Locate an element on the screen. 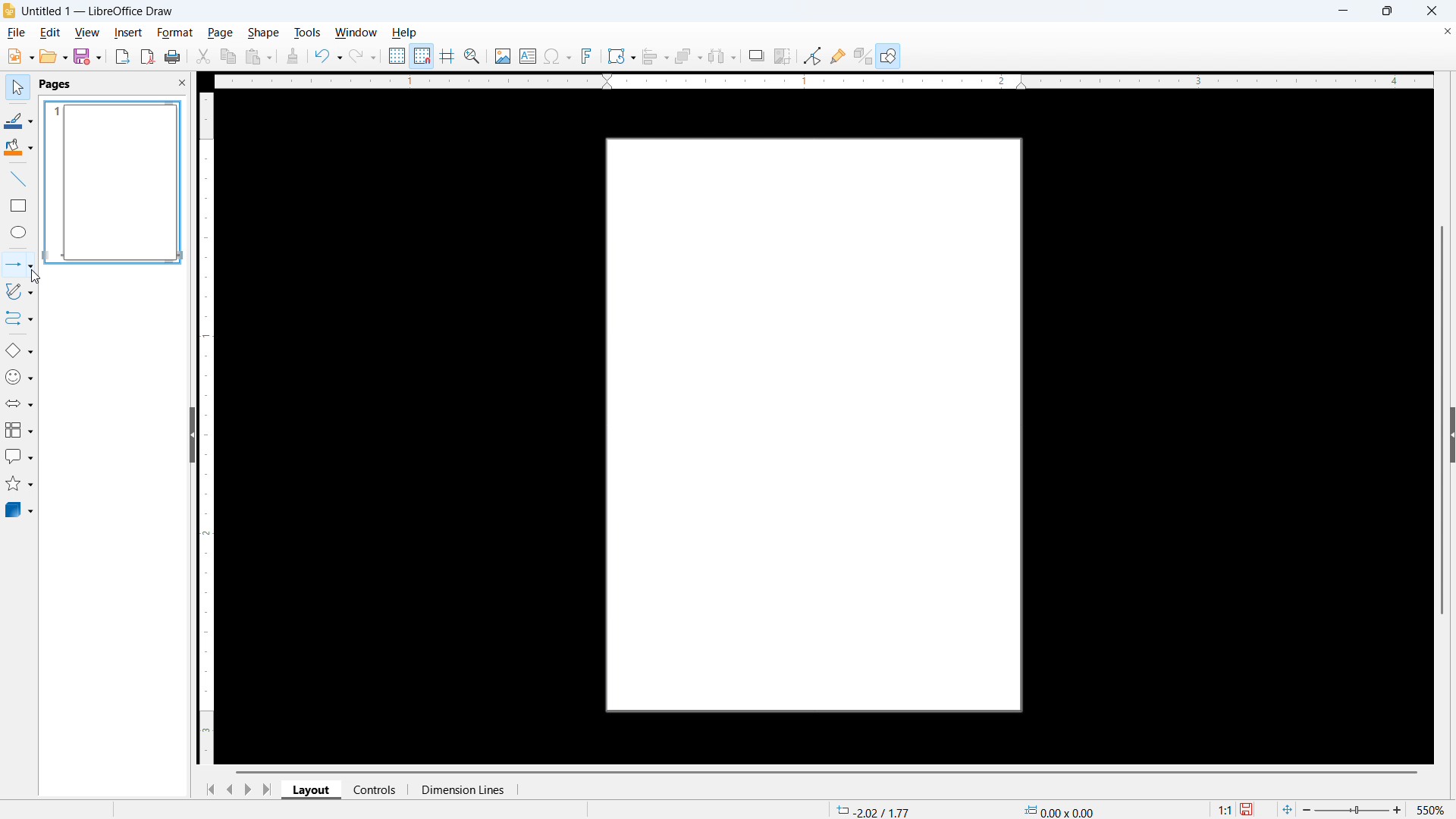  Tools  is located at coordinates (307, 33).